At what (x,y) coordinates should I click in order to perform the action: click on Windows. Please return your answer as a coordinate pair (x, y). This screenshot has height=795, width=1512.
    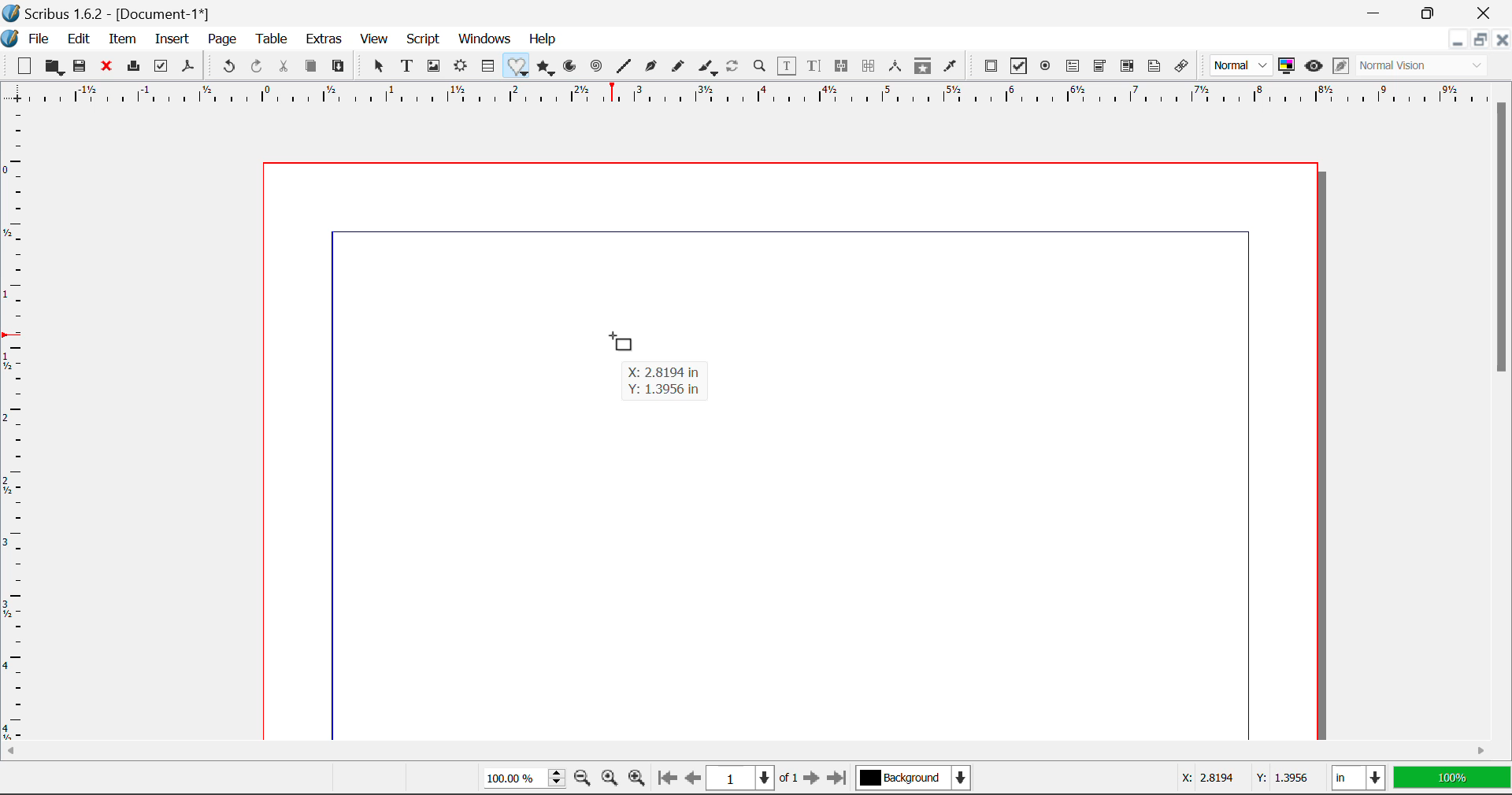
    Looking at the image, I should click on (485, 39).